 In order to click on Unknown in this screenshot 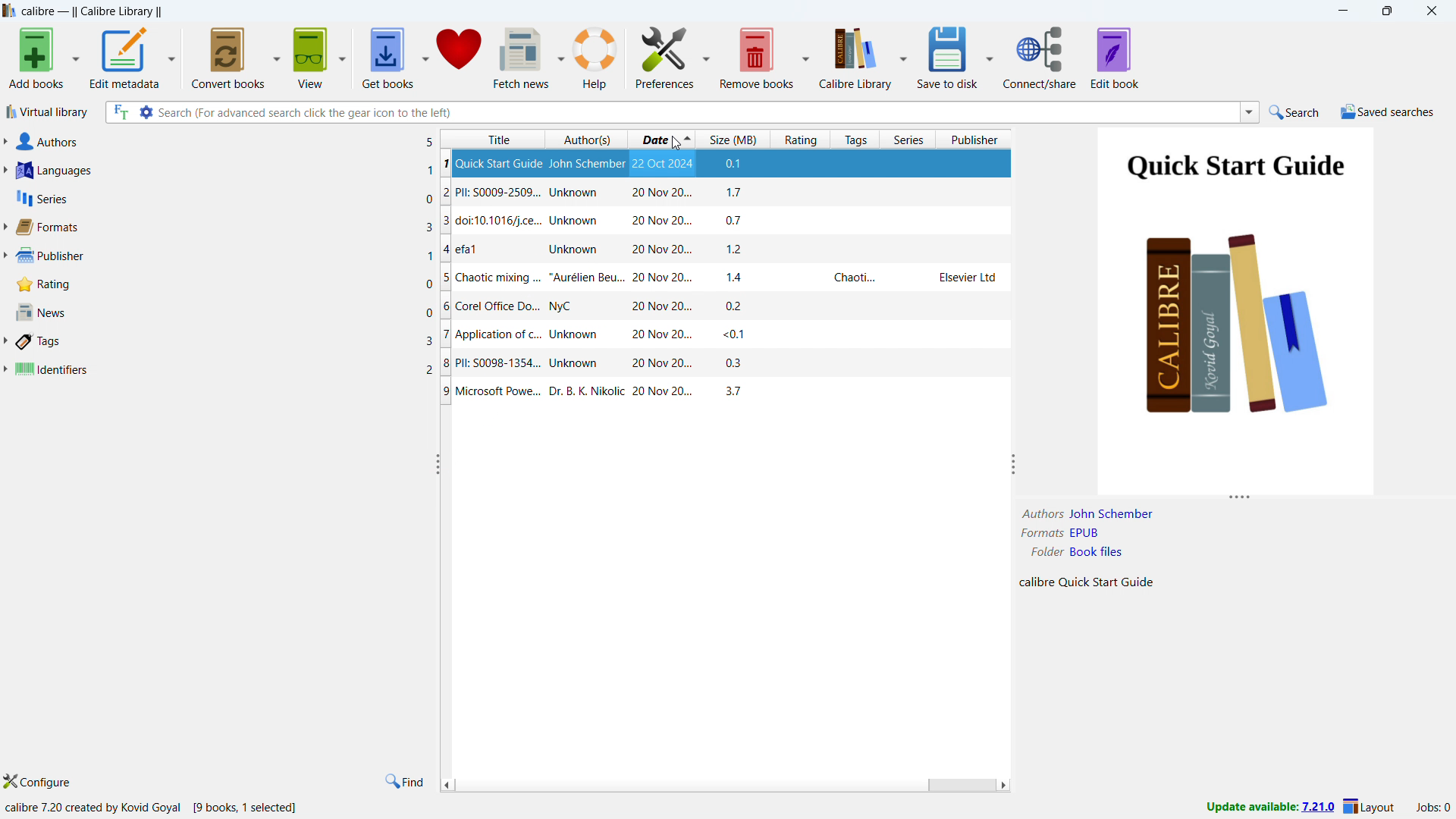, I will do `click(573, 279)`.